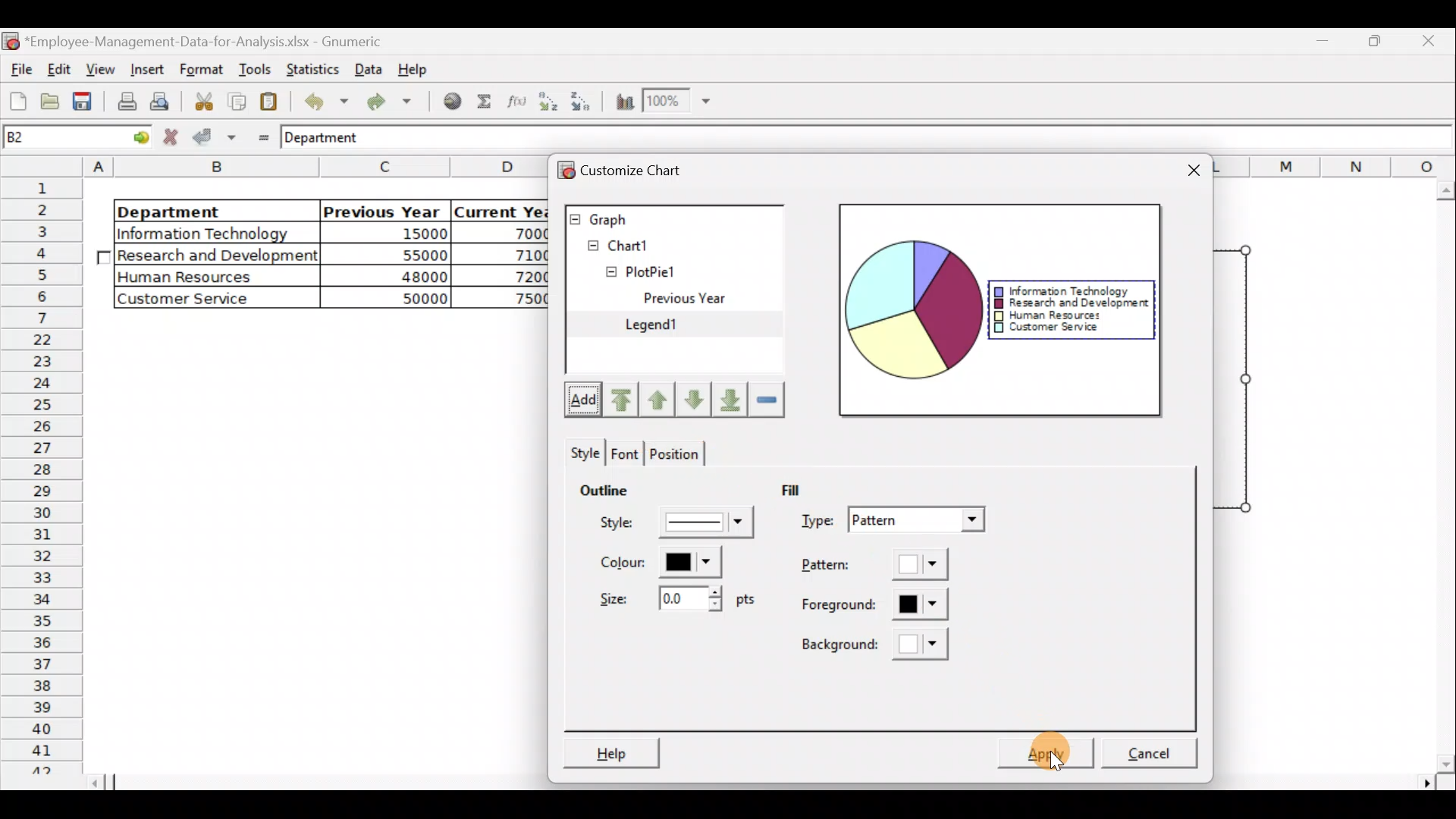  What do you see at coordinates (368, 67) in the screenshot?
I see `Data` at bounding box center [368, 67].